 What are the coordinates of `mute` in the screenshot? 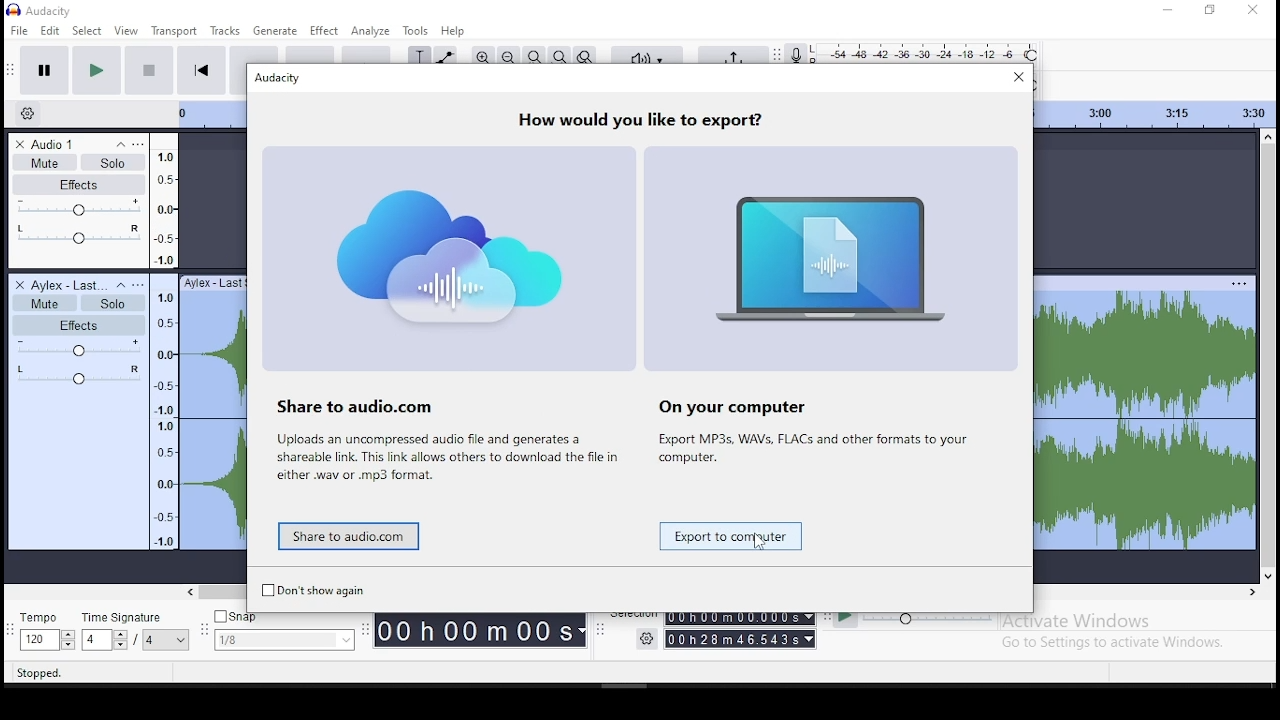 It's located at (44, 161).